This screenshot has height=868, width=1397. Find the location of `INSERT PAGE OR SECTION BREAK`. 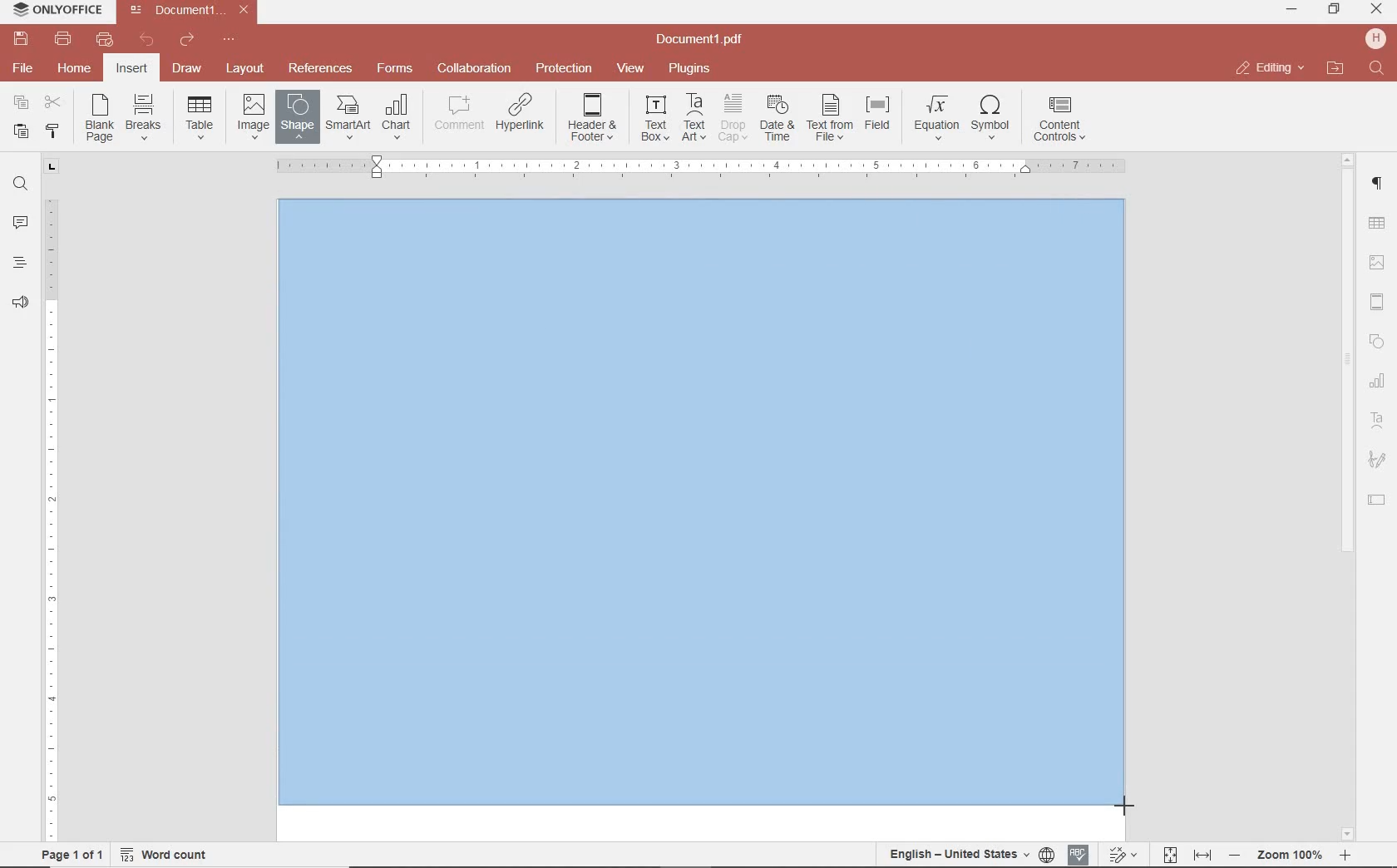

INSERT PAGE OR SECTION BREAK is located at coordinates (143, 118).